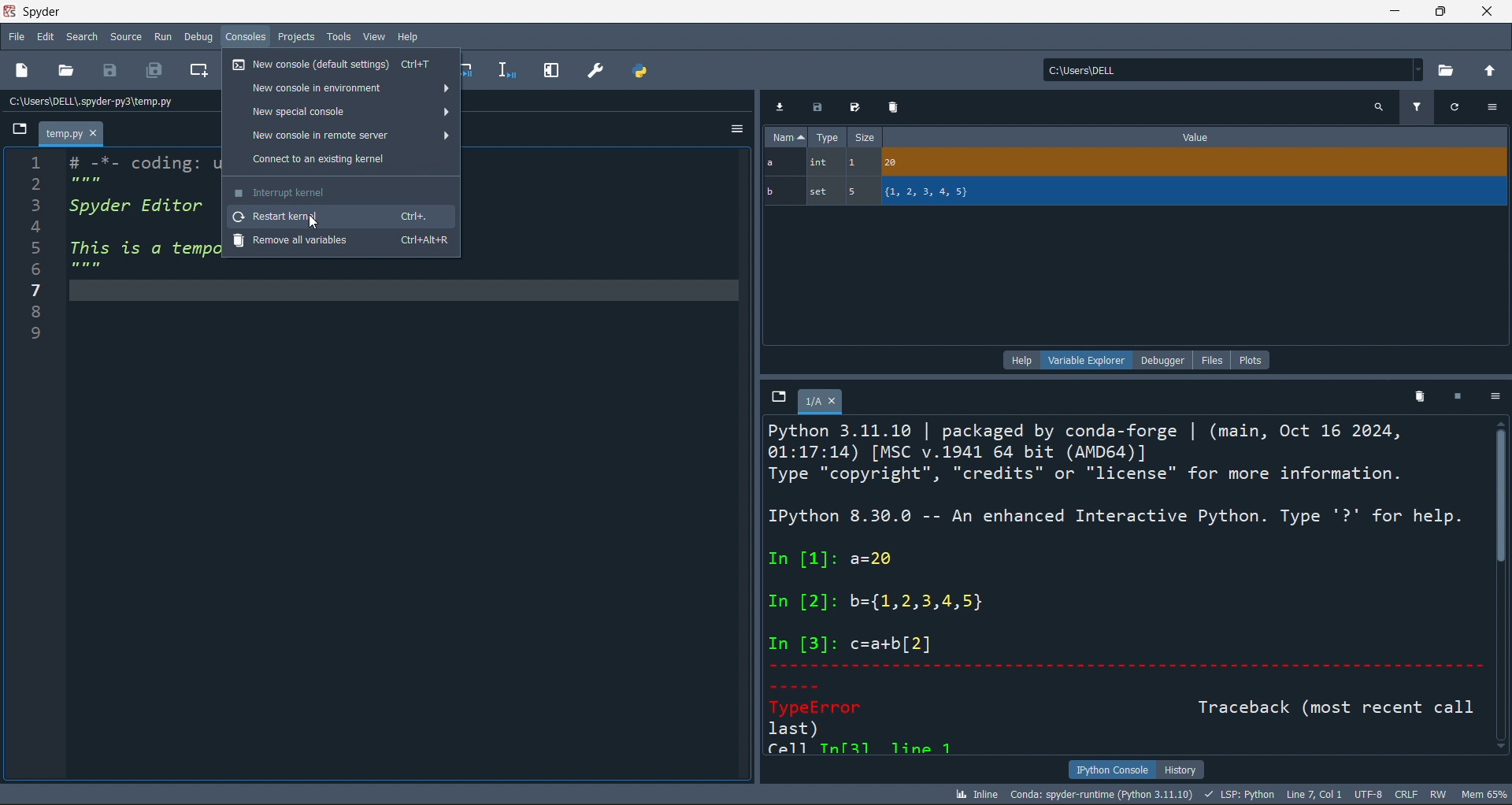 The width and height of the screenshot is (1512, 805). I want to click on CONDA: SPYDER-RUNTIME (PYTHON 3.11.10), so click(1101, 793).